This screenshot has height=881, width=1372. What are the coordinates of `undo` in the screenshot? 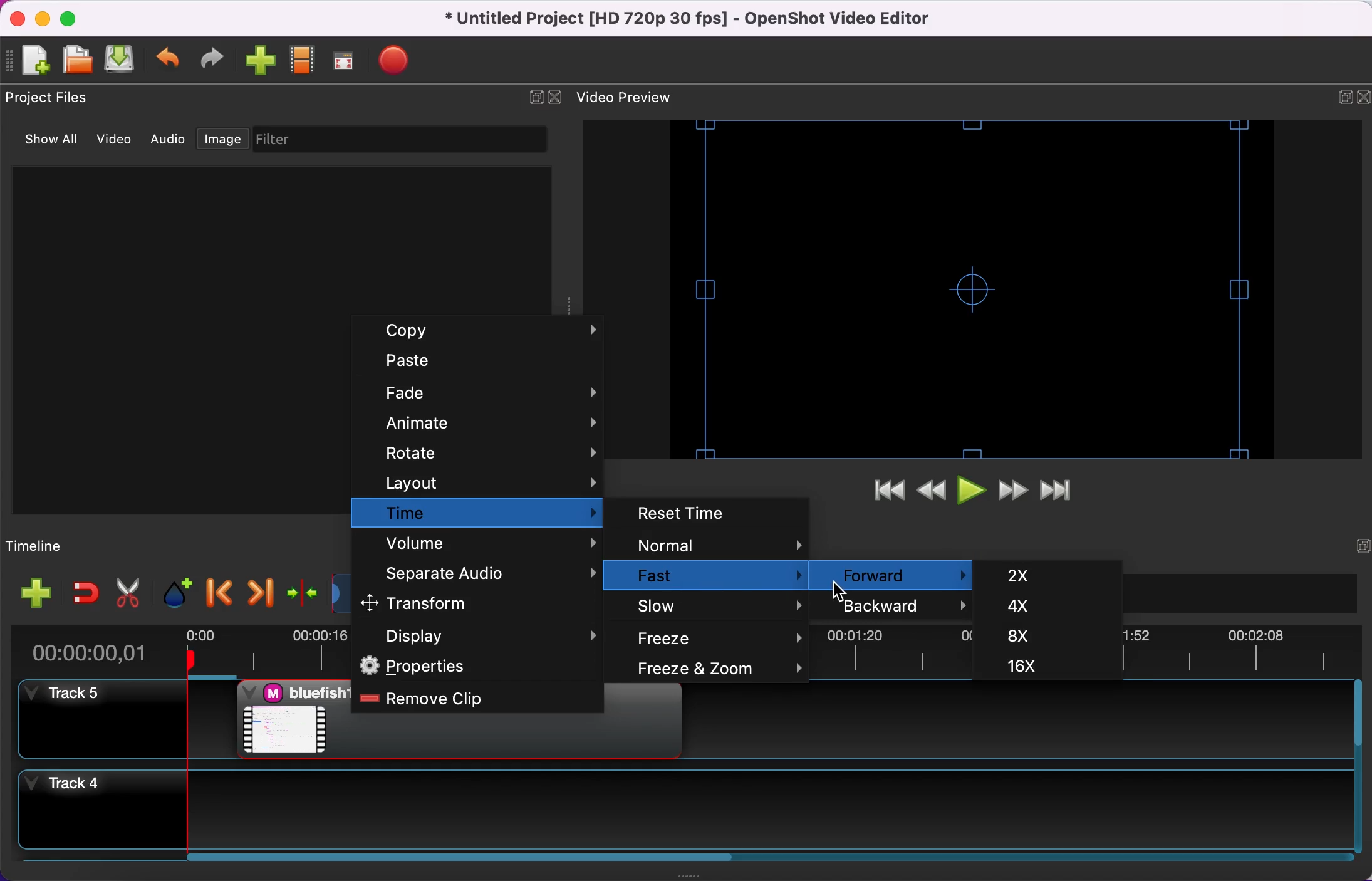 It's located at (172, 61).